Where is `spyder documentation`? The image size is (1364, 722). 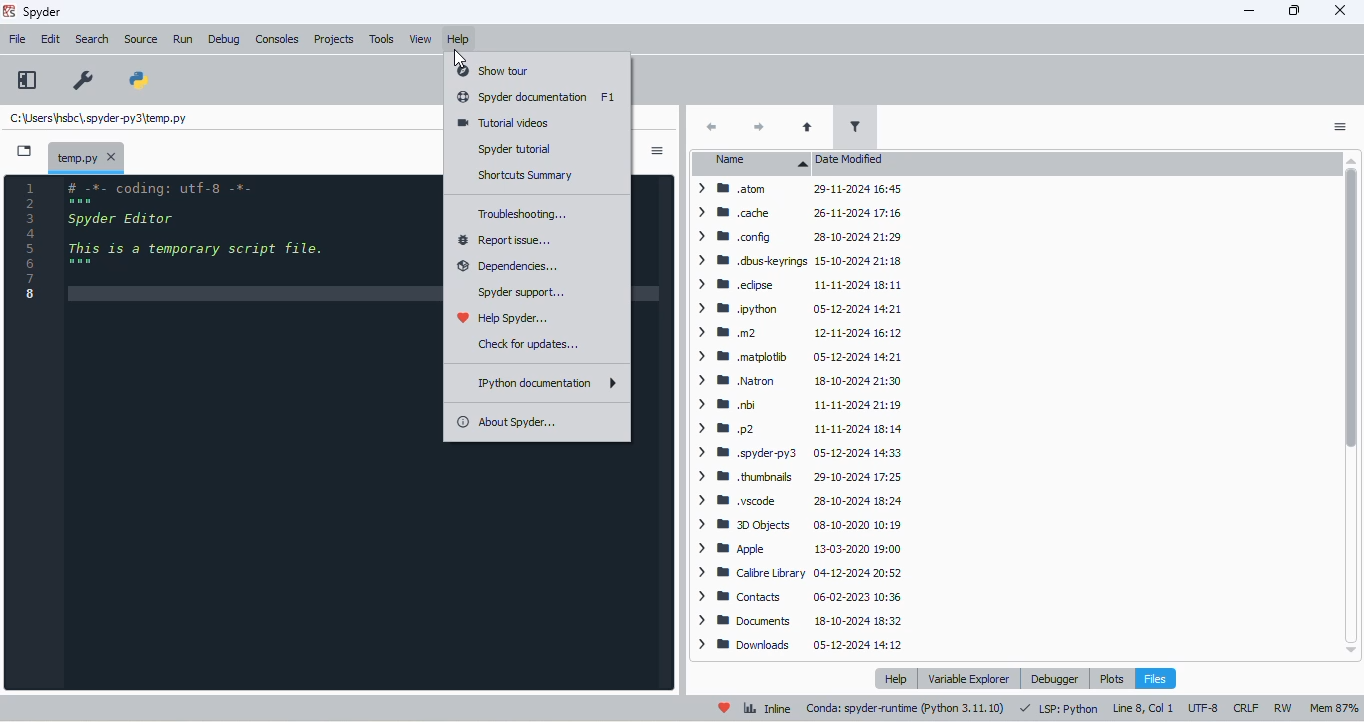
spyder documentation is located at coordinates (523, 96).